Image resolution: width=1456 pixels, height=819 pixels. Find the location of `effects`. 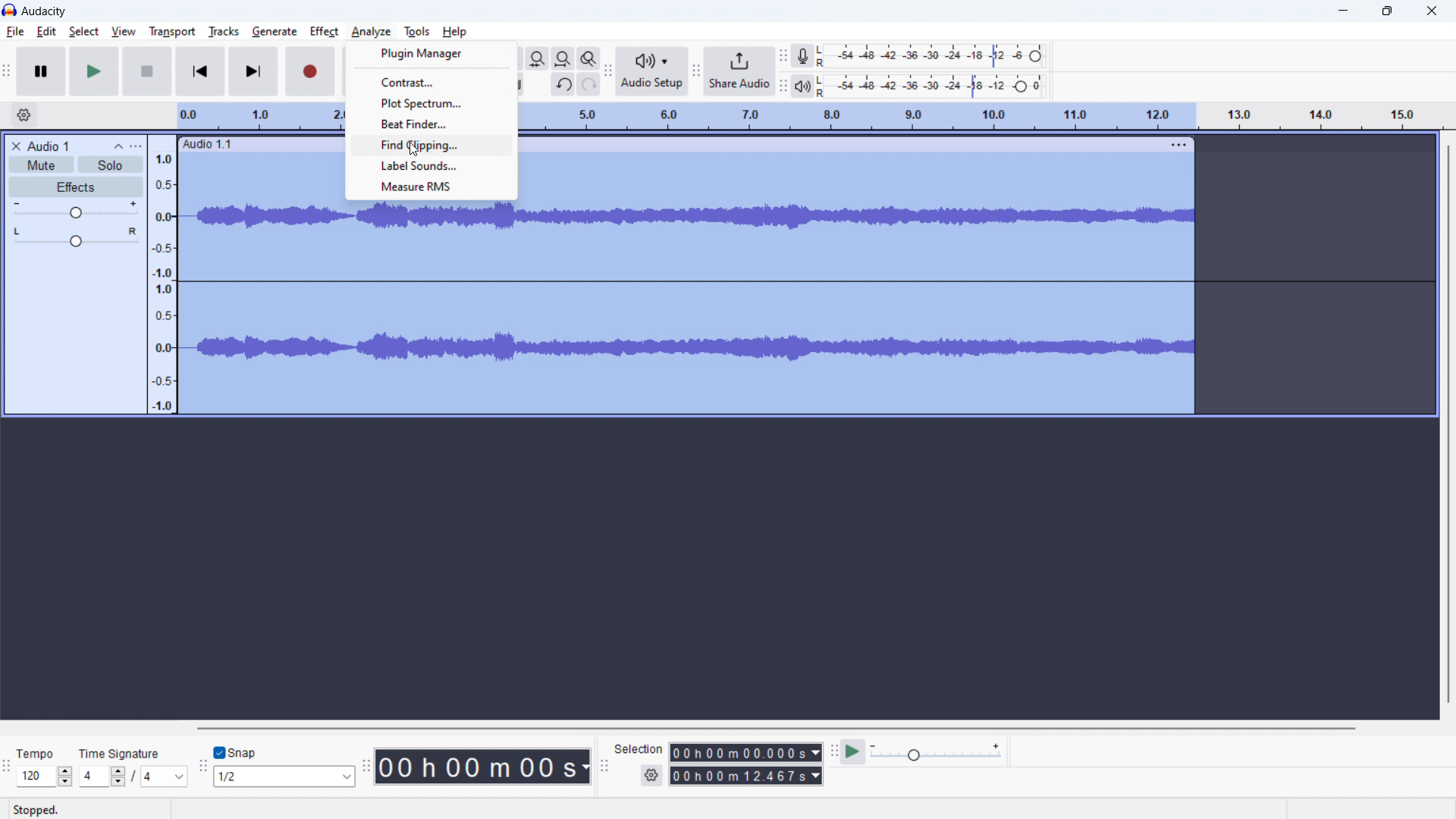

effects is located at coordinates (75, 187).